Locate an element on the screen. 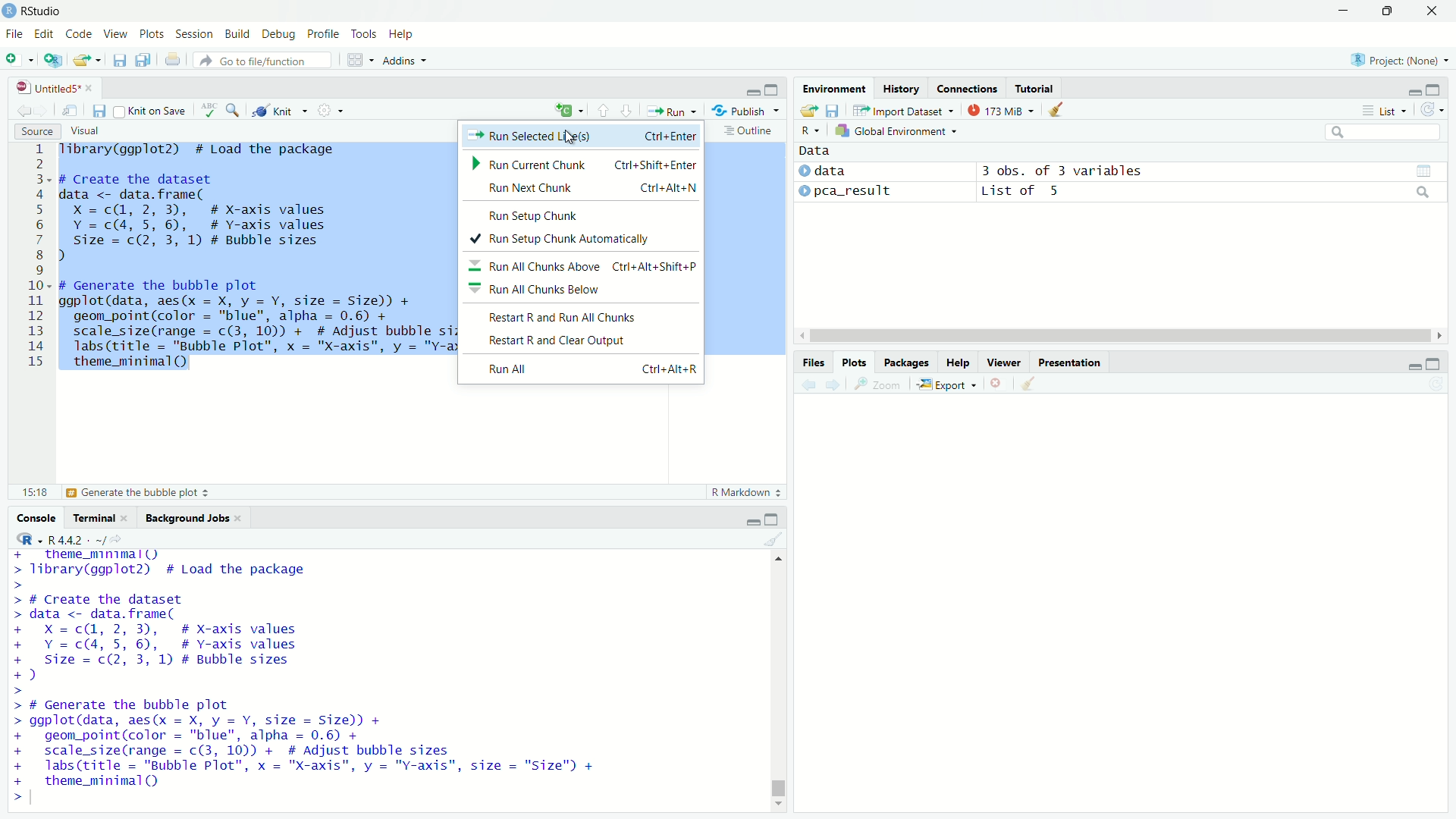 This screenshot has height=819, width=1456. data 2 : pca_result is located at coordinates (847, 190).